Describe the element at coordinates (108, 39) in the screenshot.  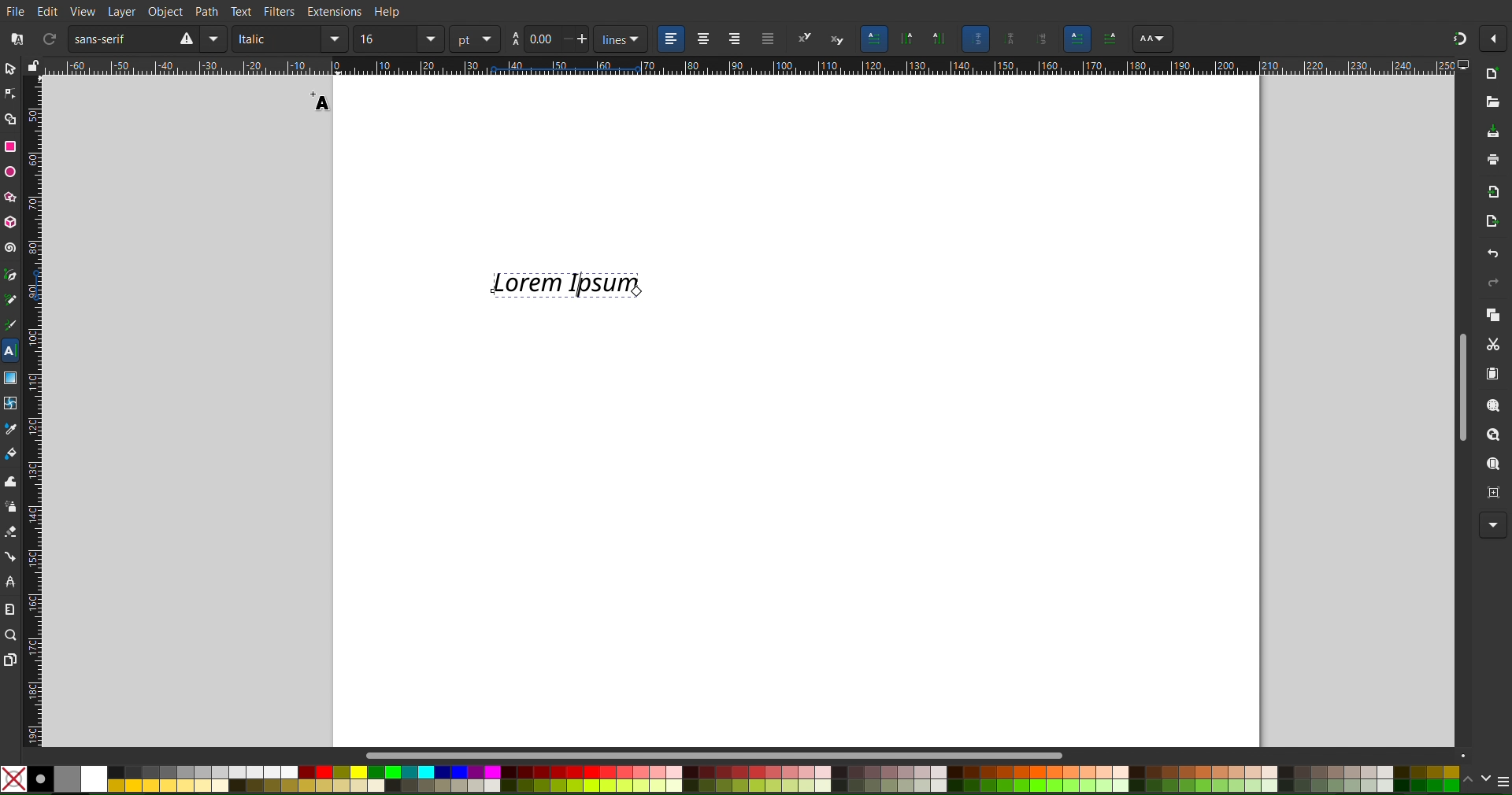
I see `Sans Serif` at that location.